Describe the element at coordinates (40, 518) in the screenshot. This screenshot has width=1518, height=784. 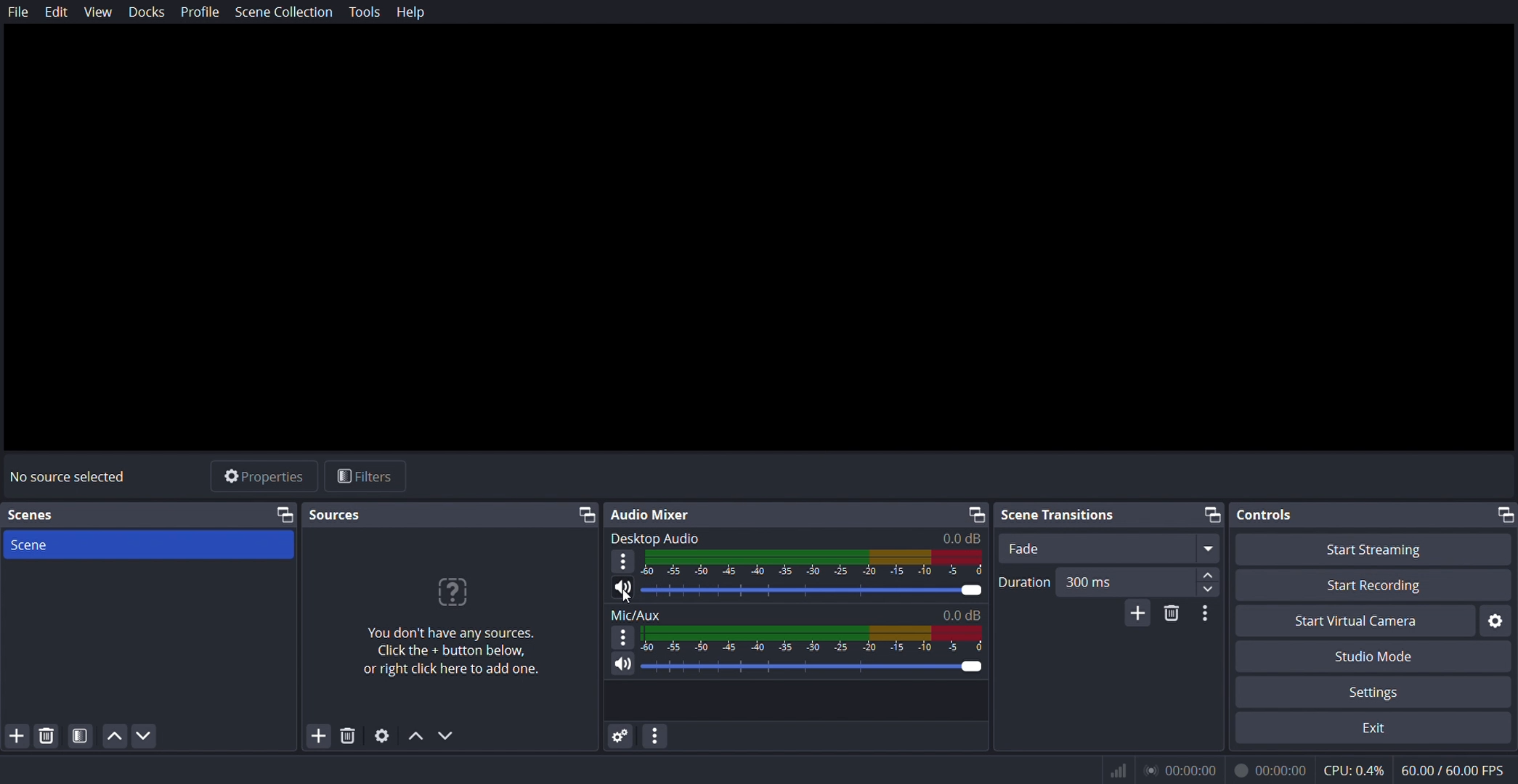
I see `scenes` at that location.